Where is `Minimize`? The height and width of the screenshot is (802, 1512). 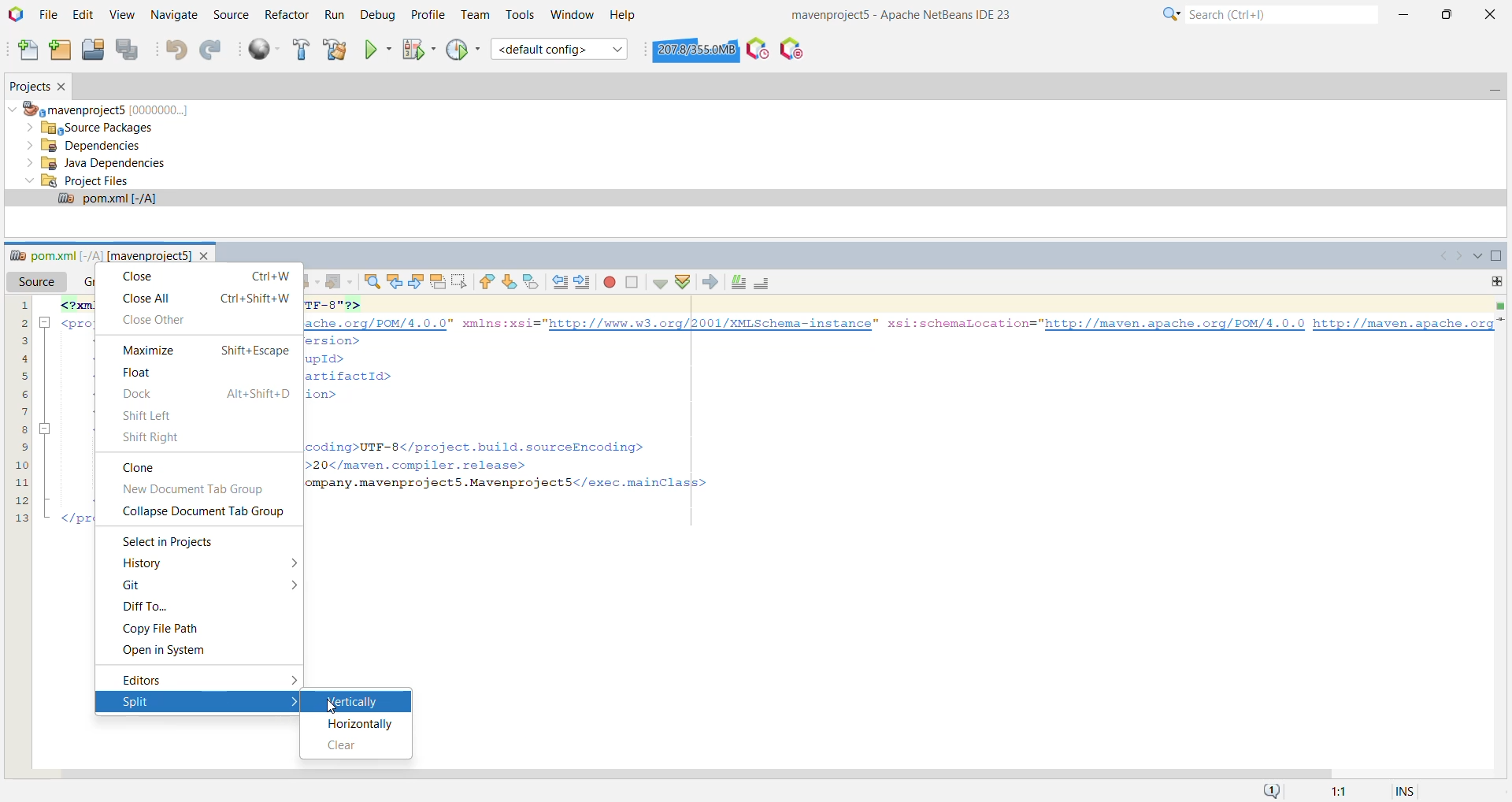
Minimize is located at coordinates (1406, 12).